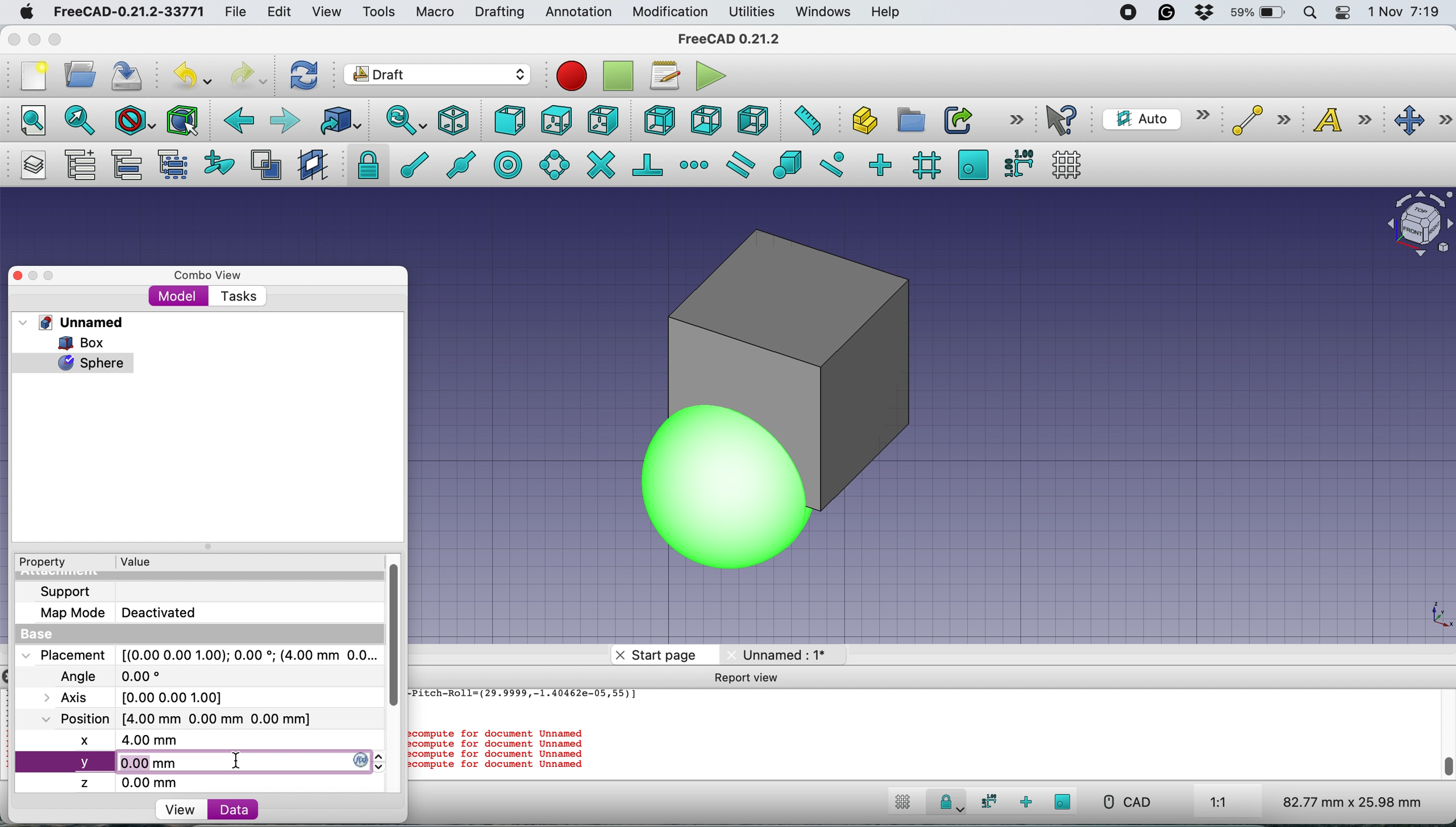  What do you see at coordinates (1067, 165) in the screenshot?
I see `toggle grid` at bounding box center [1067, 165].